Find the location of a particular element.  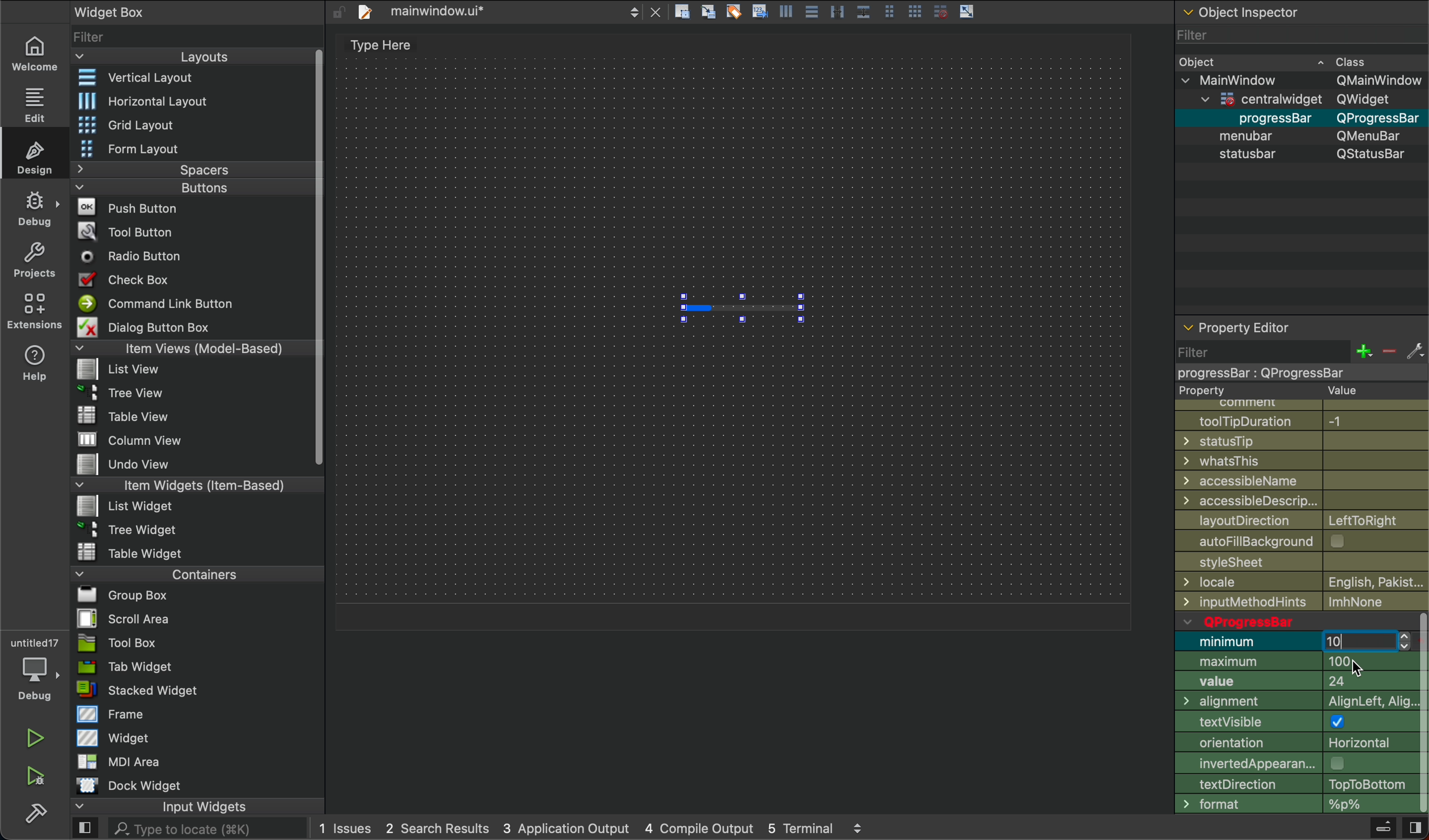

debugger is located at coordinates (34, 667).